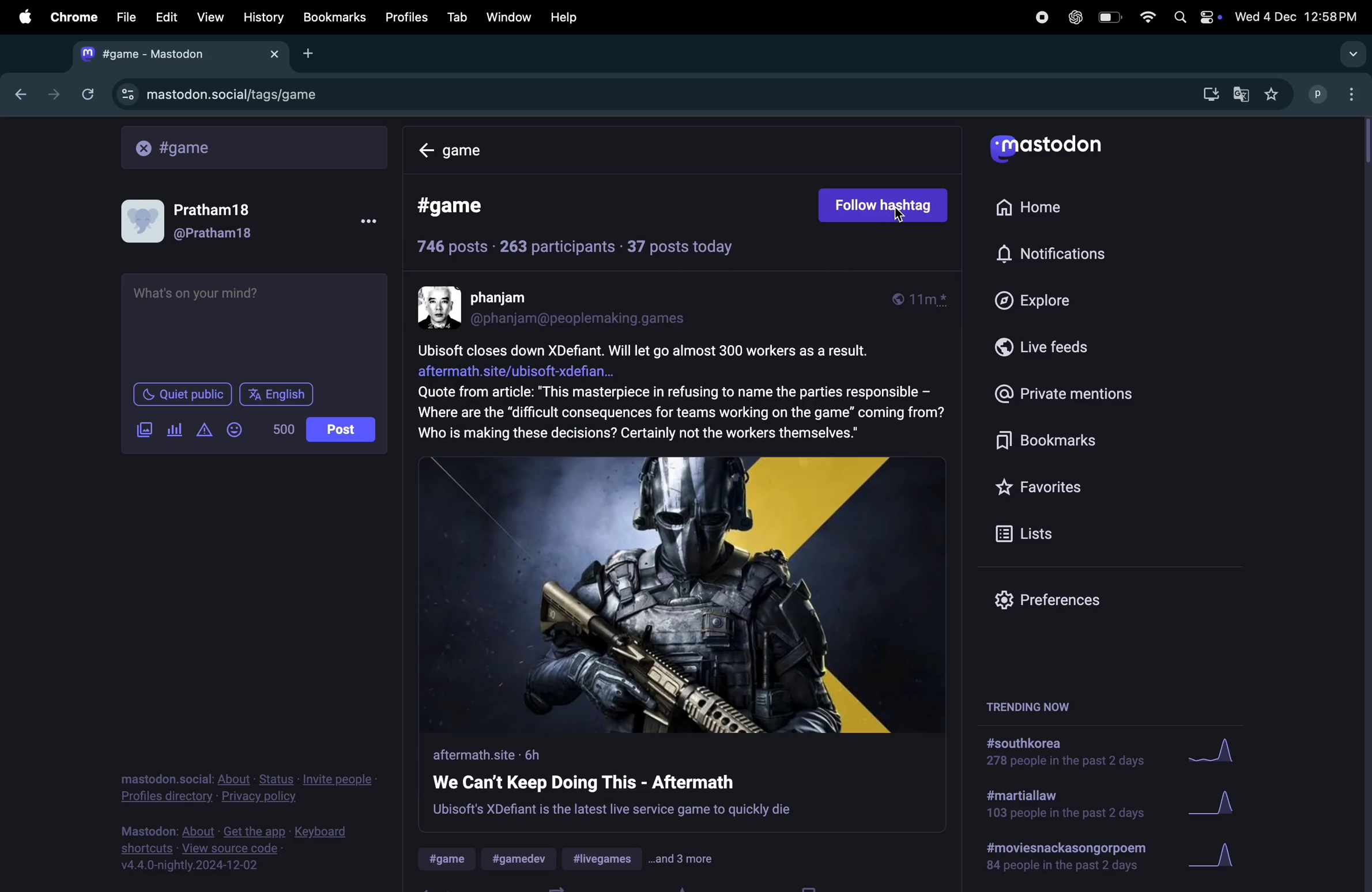 The height and width of the screenshot is (892, 1372). I want to click on phanjam, so click(511, 298).